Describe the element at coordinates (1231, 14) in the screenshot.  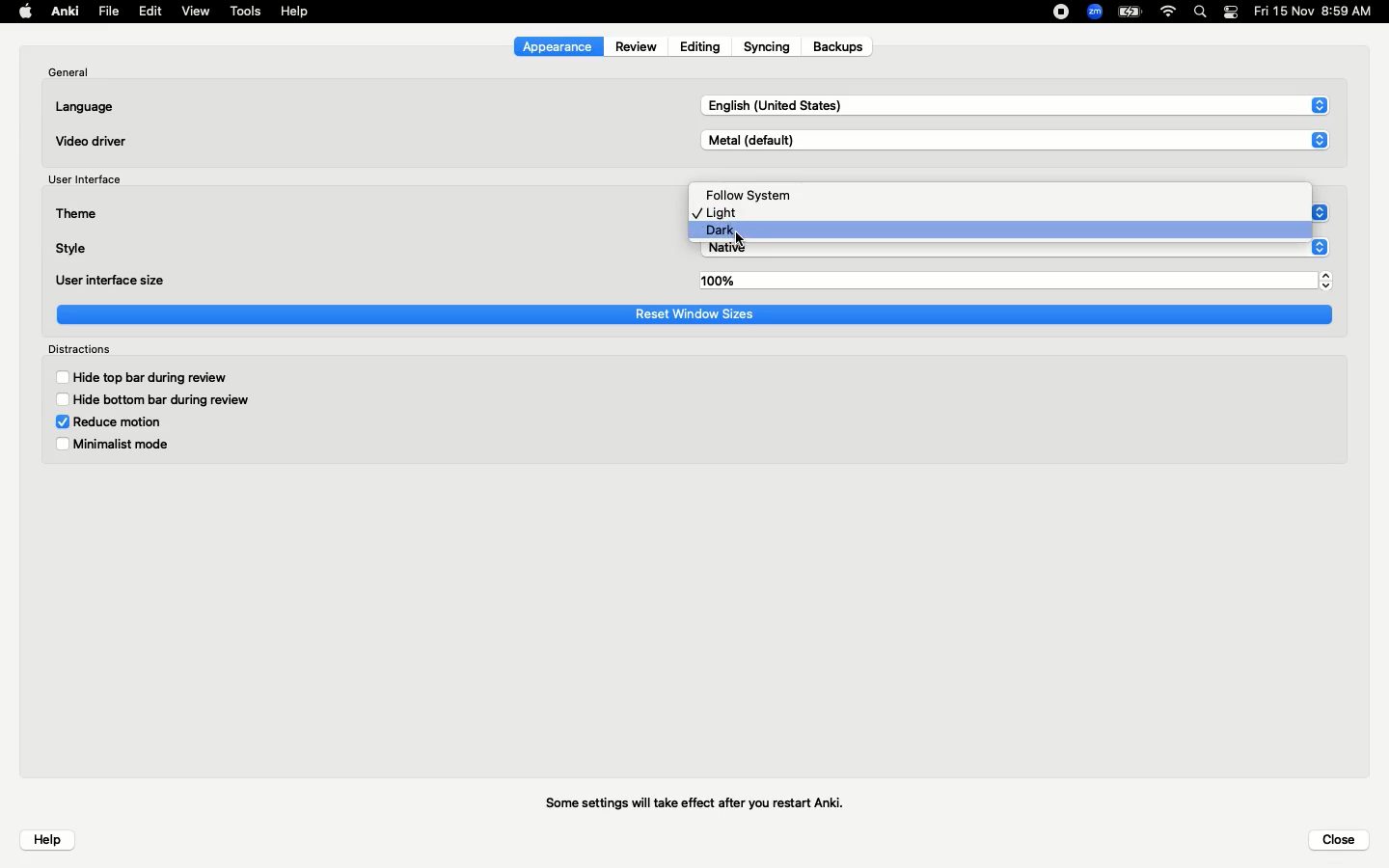
I see `Notification` at that location.